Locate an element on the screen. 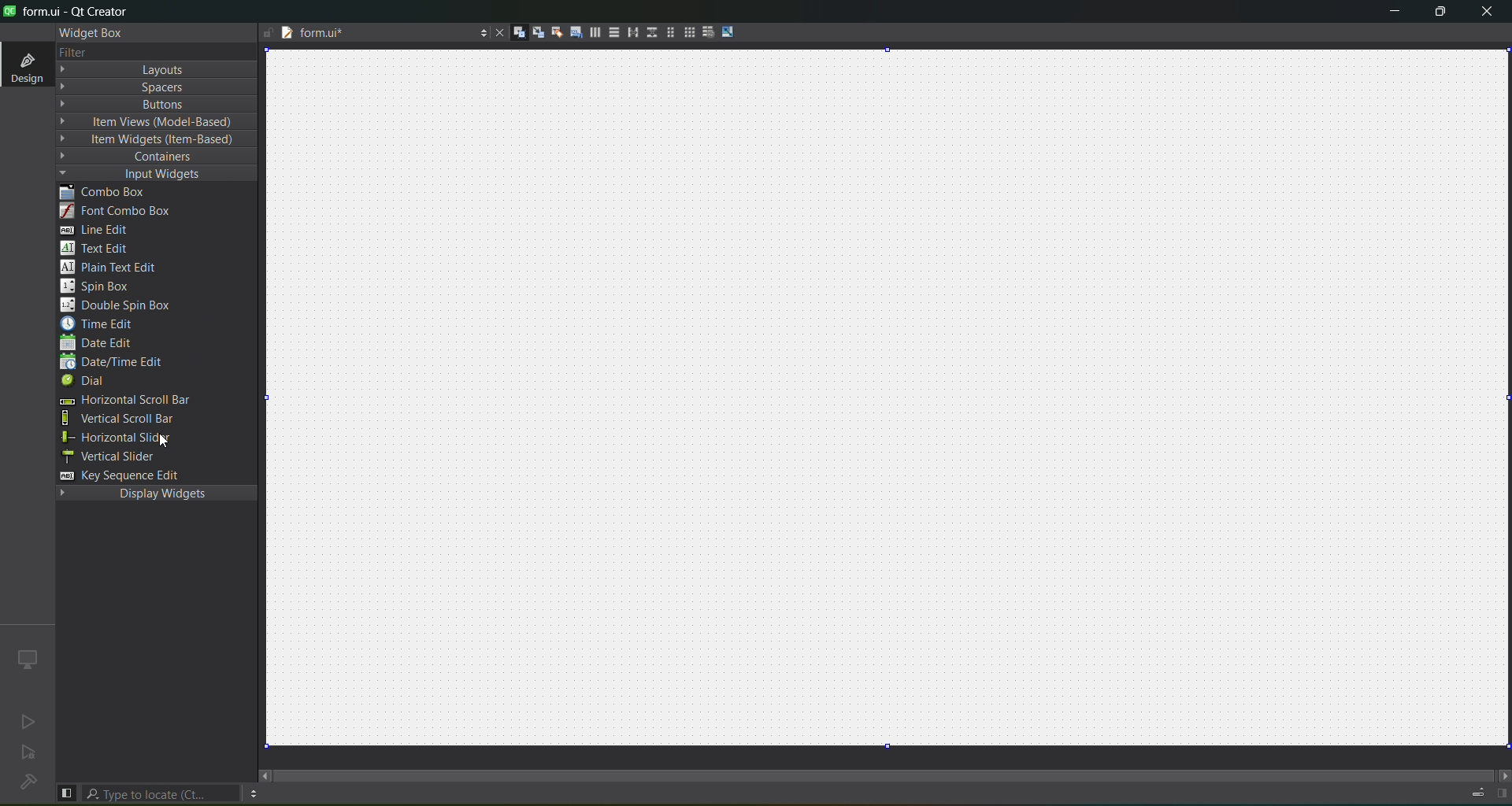 The image size is (1512, 806). no active project is located at coordinates (28, 752).